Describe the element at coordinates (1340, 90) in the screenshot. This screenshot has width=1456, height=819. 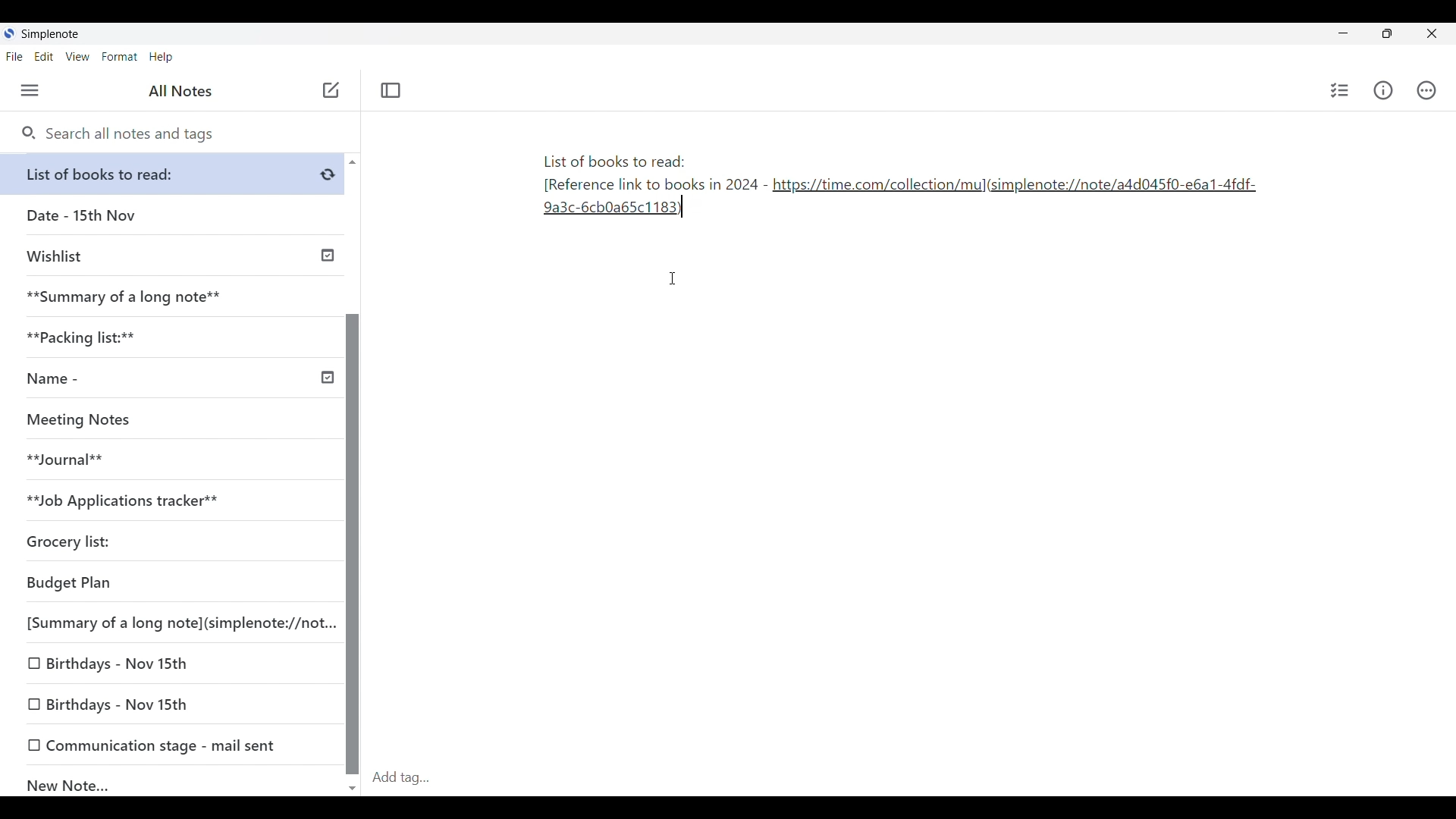
I see `Insert checklist` at that location.